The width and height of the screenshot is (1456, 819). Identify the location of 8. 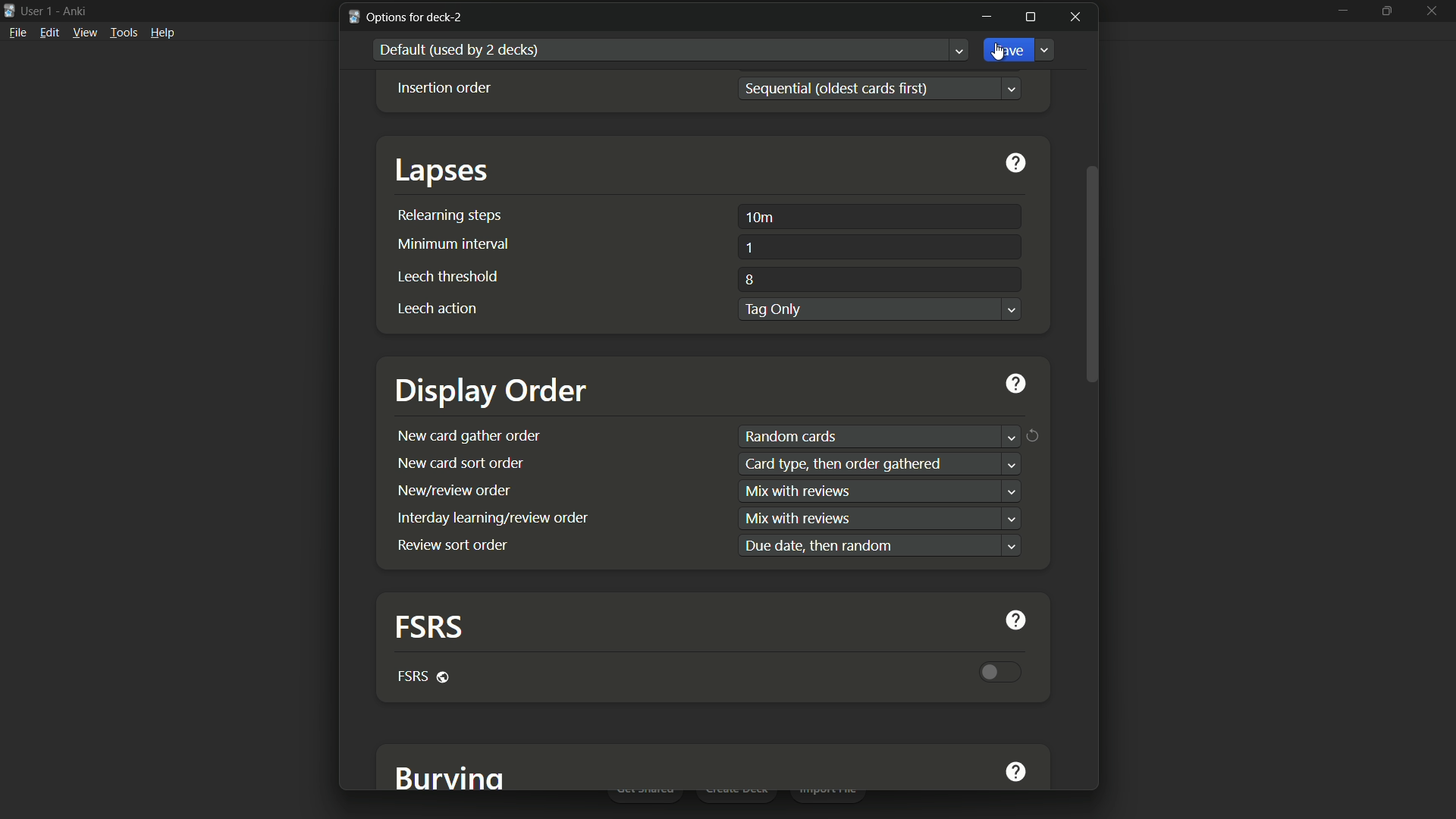
(748, 278).